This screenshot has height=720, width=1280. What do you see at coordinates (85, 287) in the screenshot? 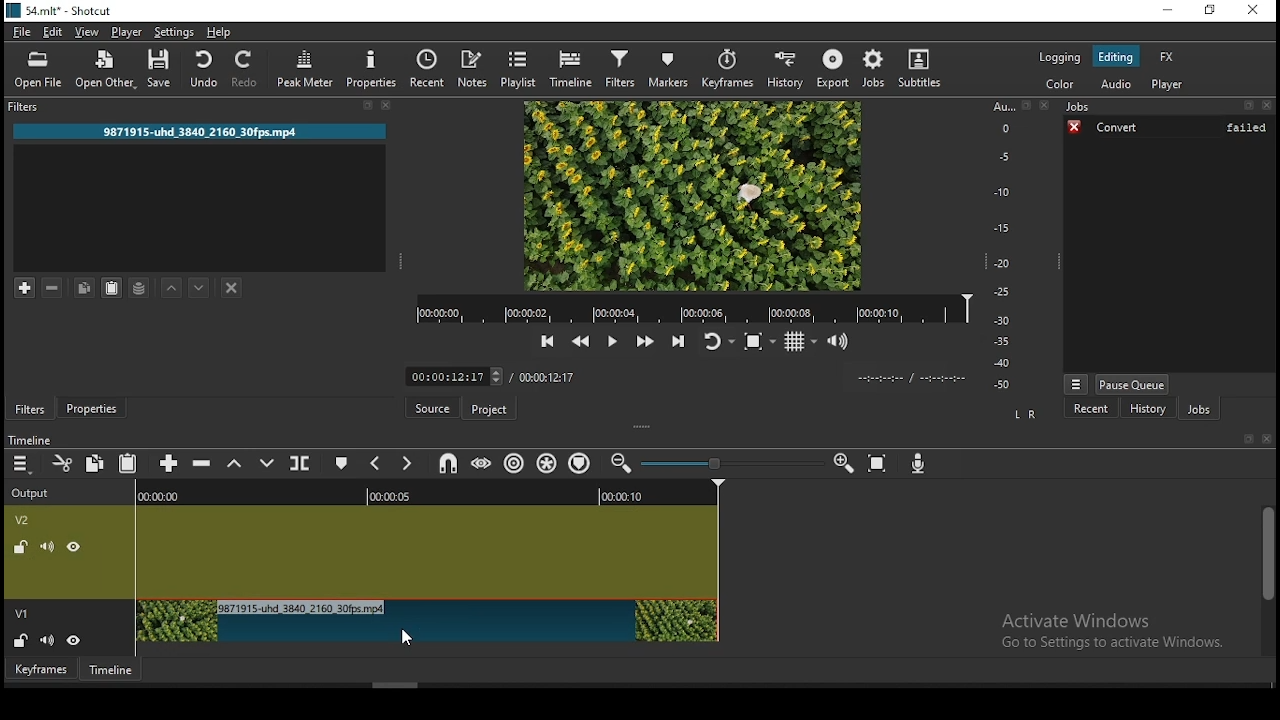
I see `copy` at bounding box center [85, 287].